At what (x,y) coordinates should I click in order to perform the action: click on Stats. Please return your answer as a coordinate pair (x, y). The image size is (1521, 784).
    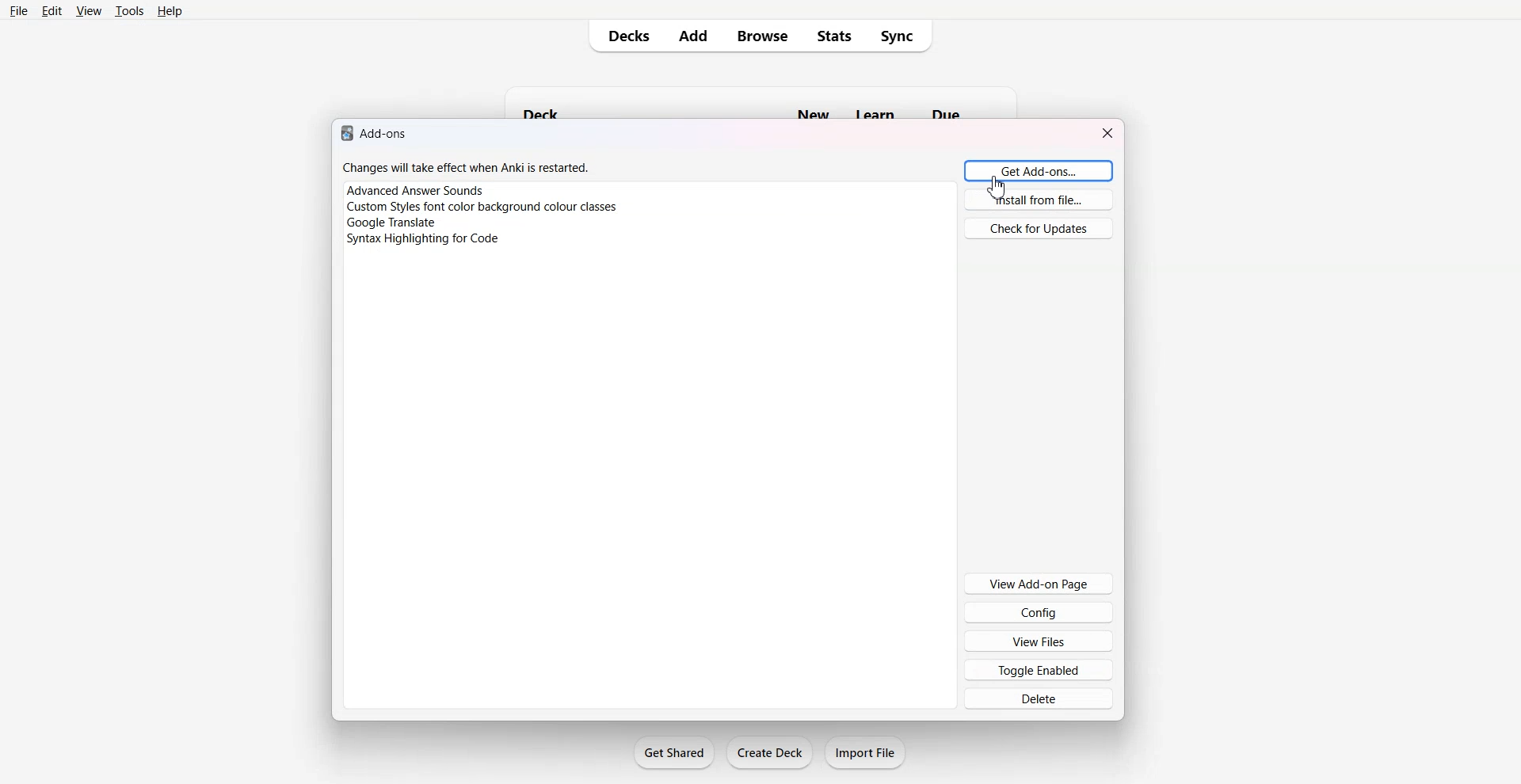
    Looking at the image, I should click on (838, 36).